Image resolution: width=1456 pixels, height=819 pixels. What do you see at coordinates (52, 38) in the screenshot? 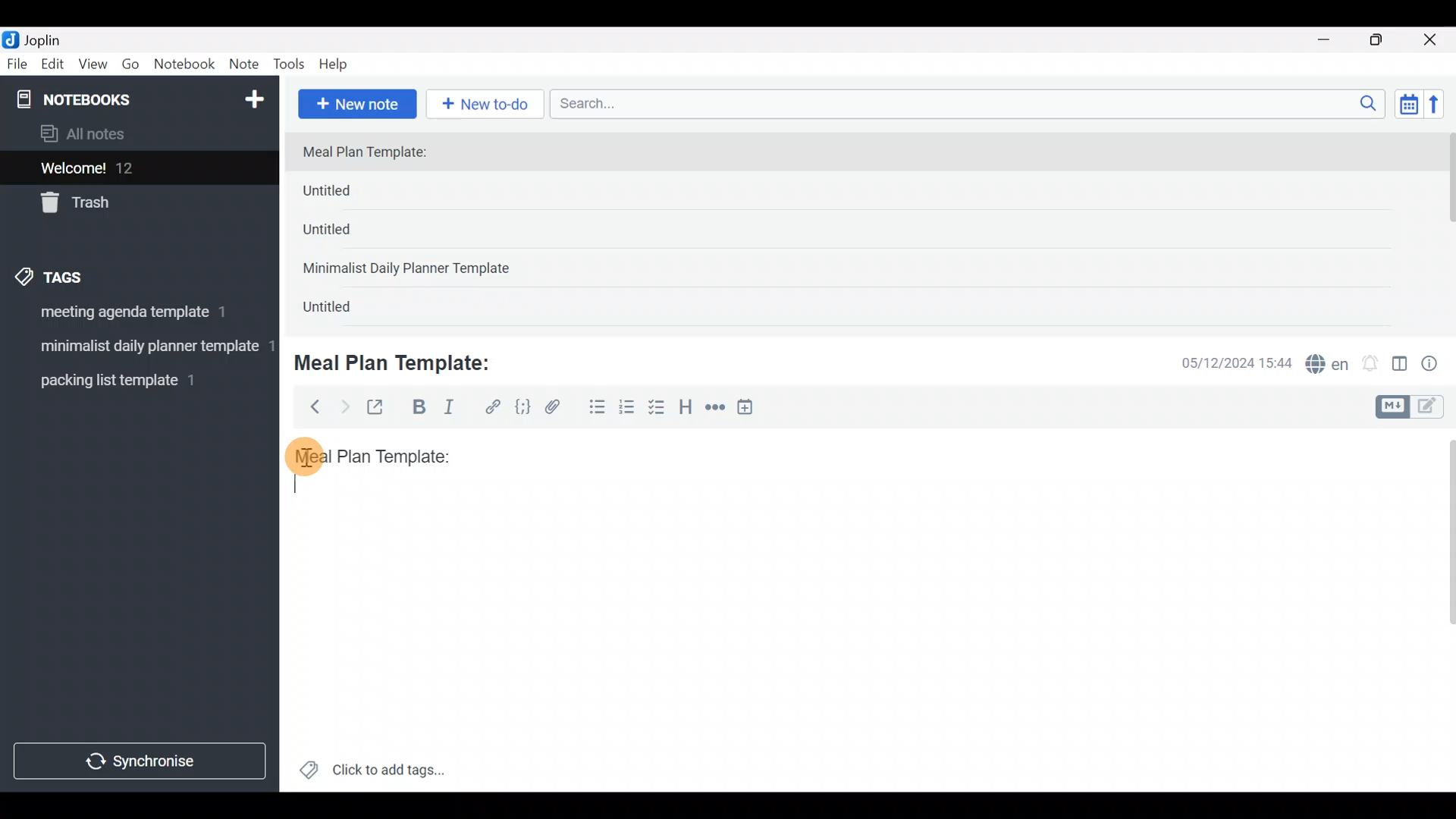
I see `Joplin` at bounding box center [52, 38].